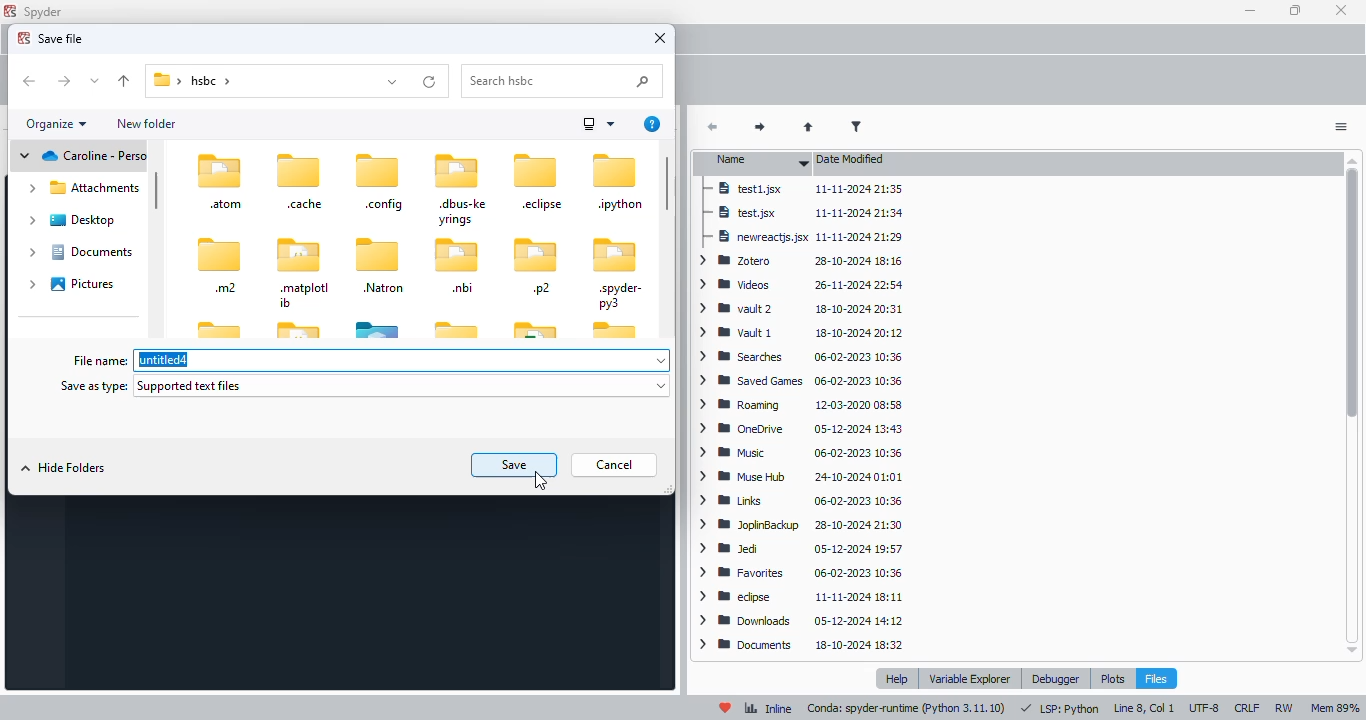 This screenshot has height=720, width=1366. Describe the element at coordinates (756, 128) in the screenshot. I see `next` at that location.